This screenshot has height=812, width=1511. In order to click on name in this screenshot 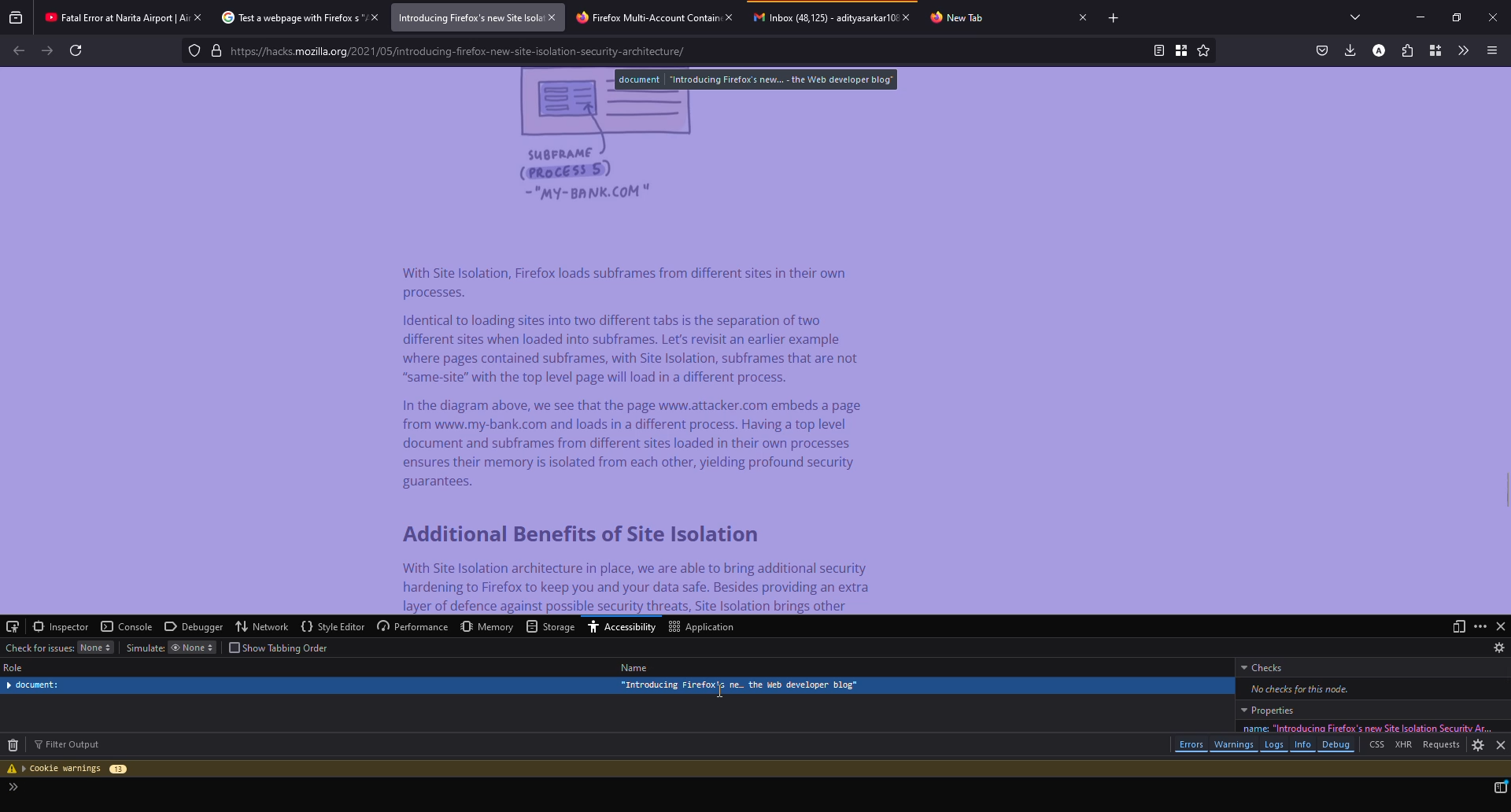, I will do `click(635, 668)`.